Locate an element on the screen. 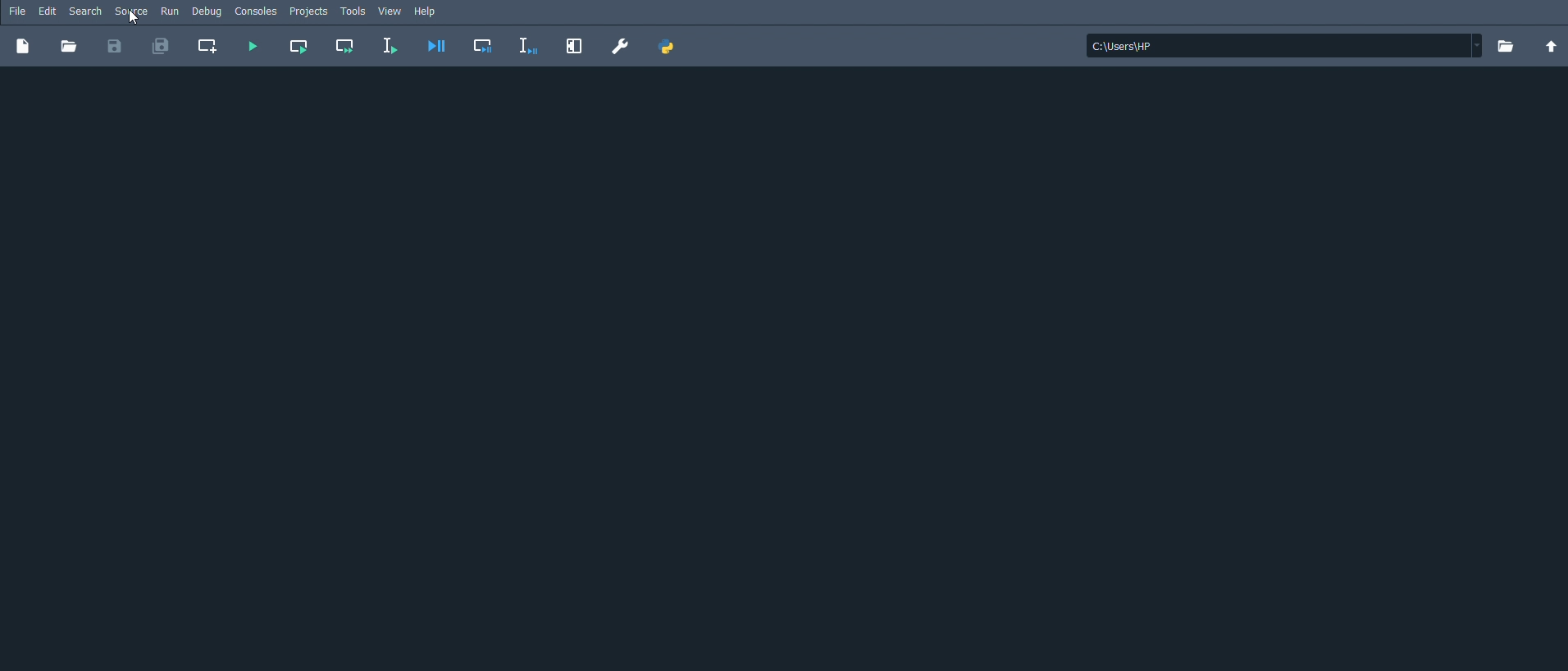  Create new cell at the current line is located at coordinates (210, 47).